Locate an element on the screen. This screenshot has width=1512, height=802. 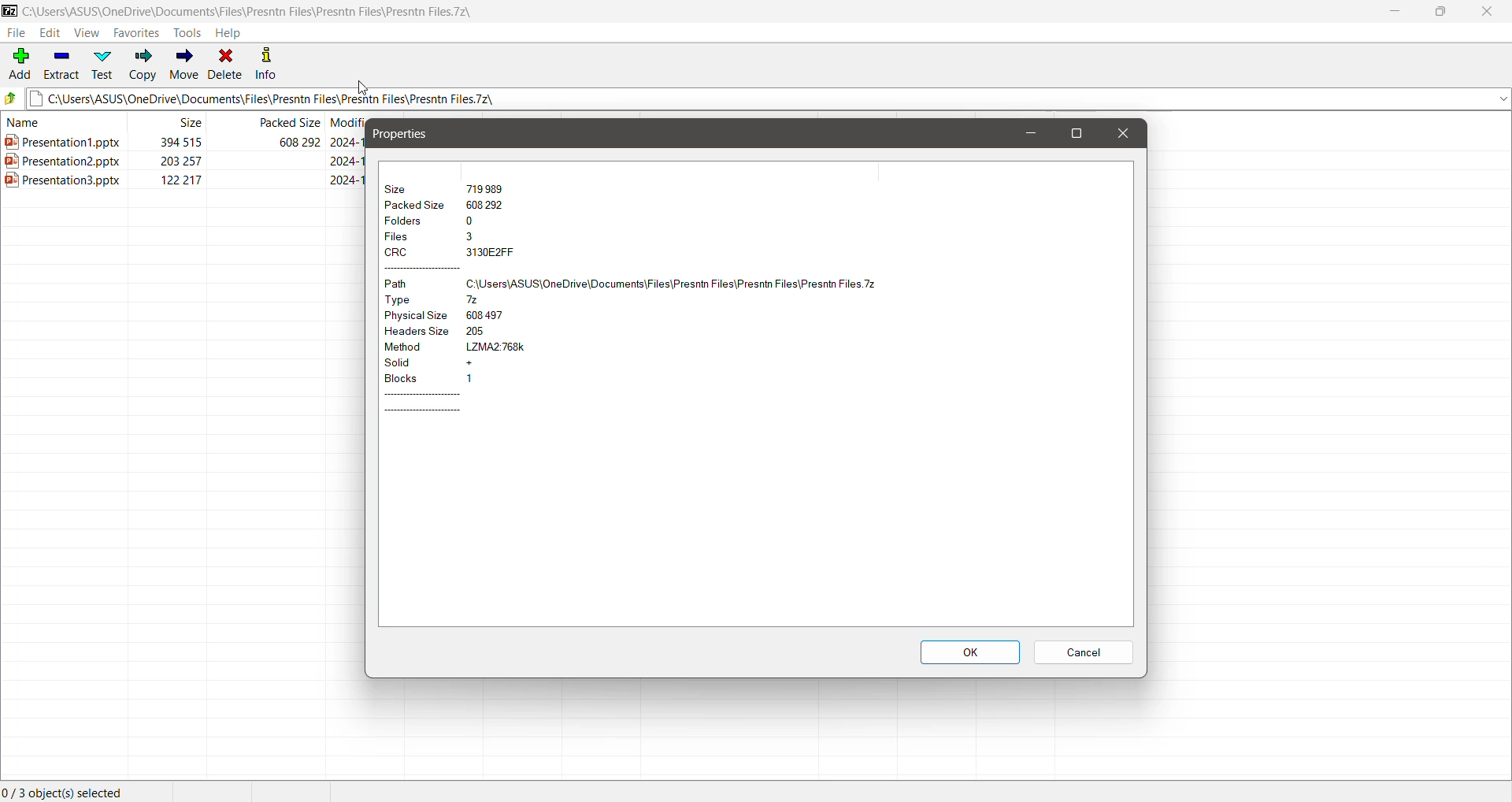
Add is located at coordinates (19, 65).